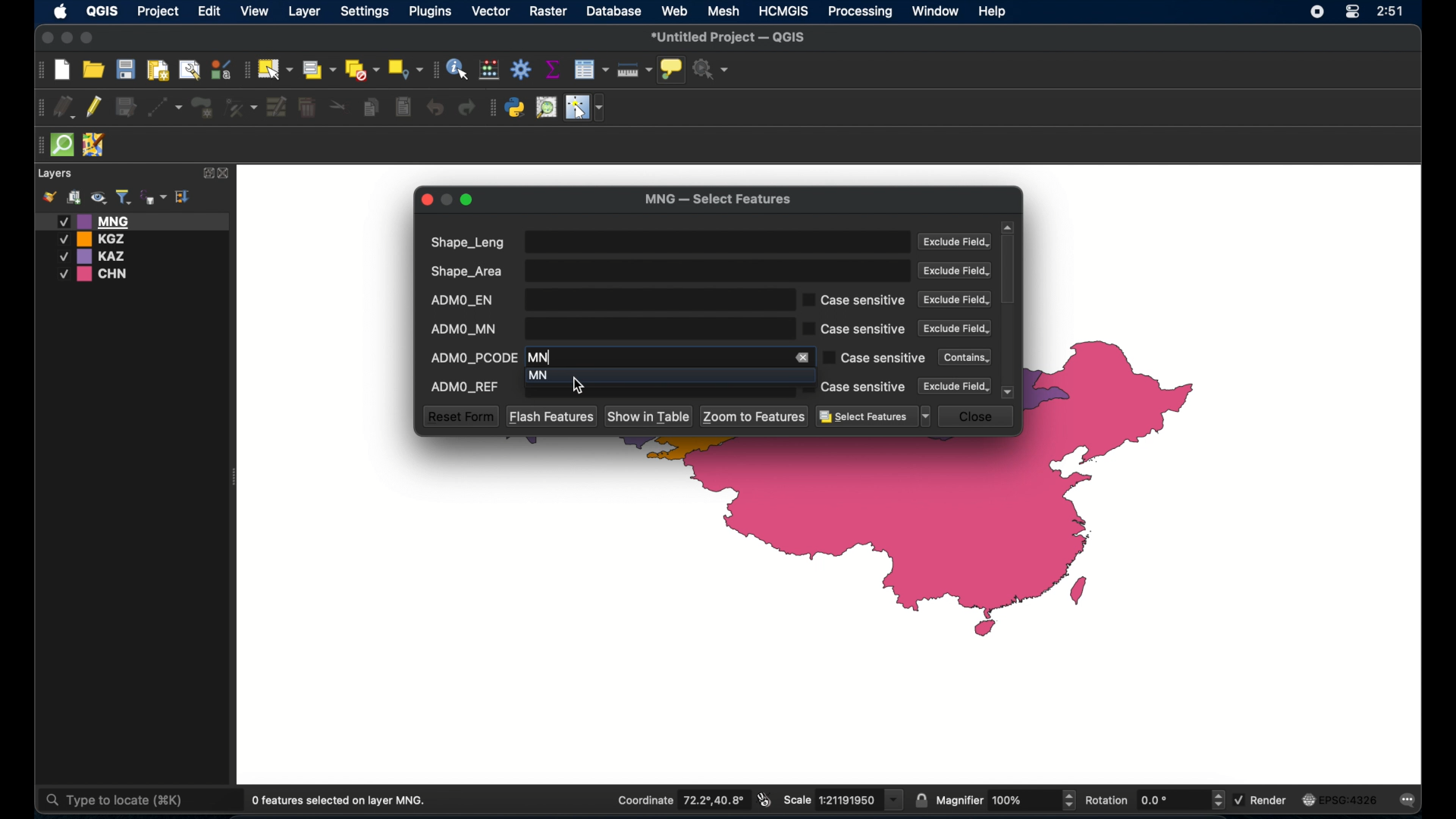 This screenshot has width=1456, height=819. I want to click on untitled project - QGIS, so click(730, 37).